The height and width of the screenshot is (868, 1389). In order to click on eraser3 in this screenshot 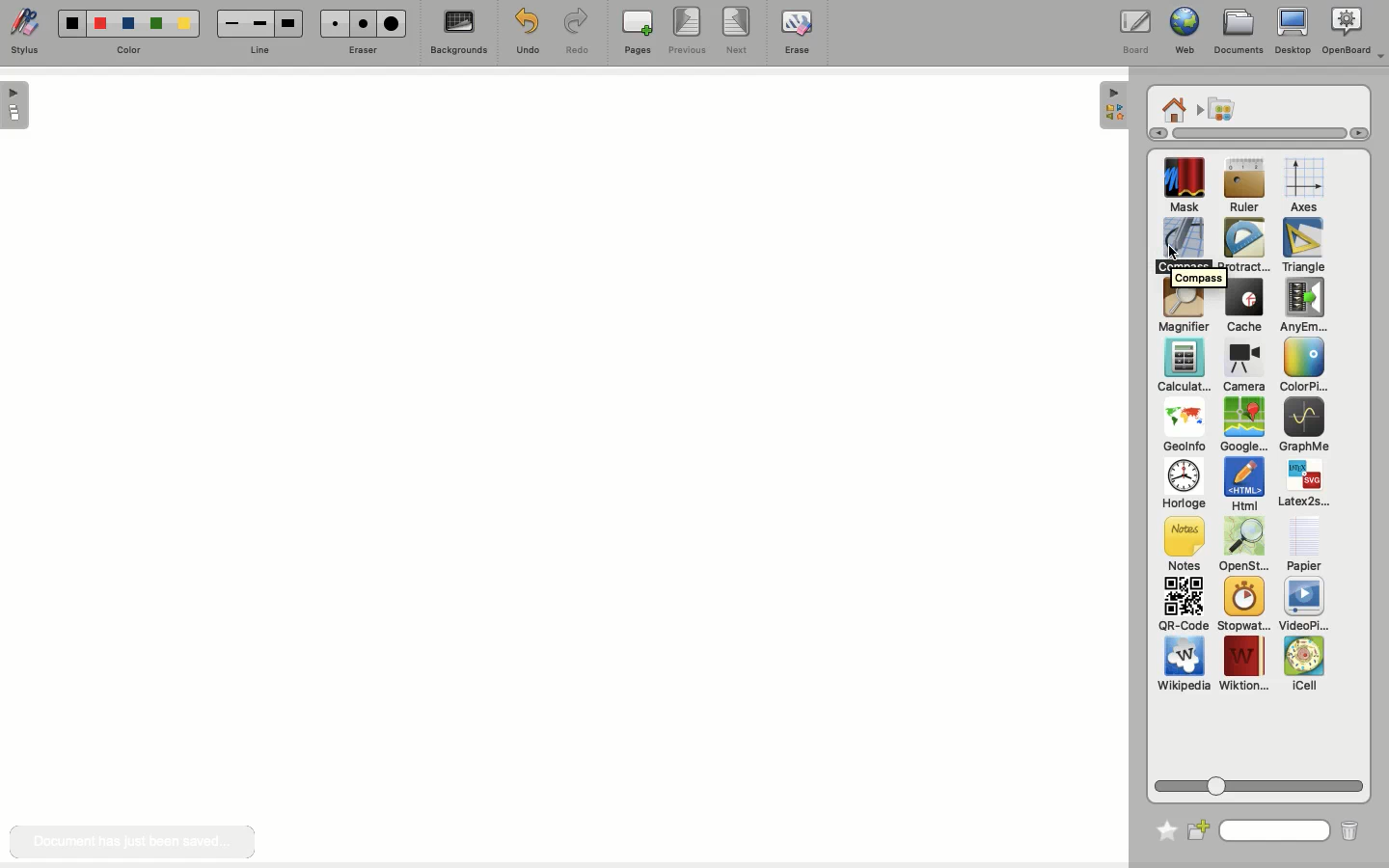, I will do `click(393, 24)`.